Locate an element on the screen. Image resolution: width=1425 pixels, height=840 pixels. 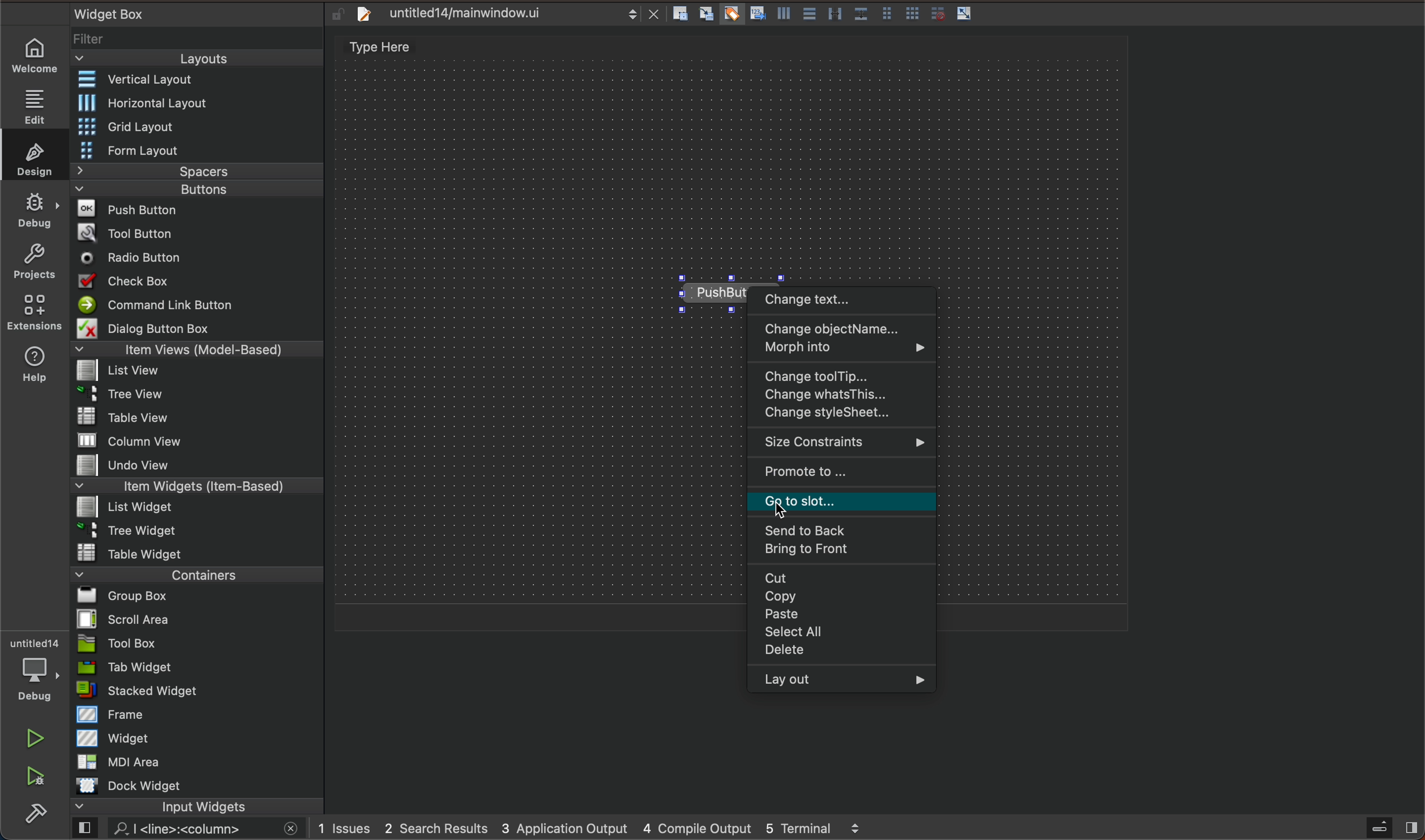
scroll area is located at coordinates (197, 620).